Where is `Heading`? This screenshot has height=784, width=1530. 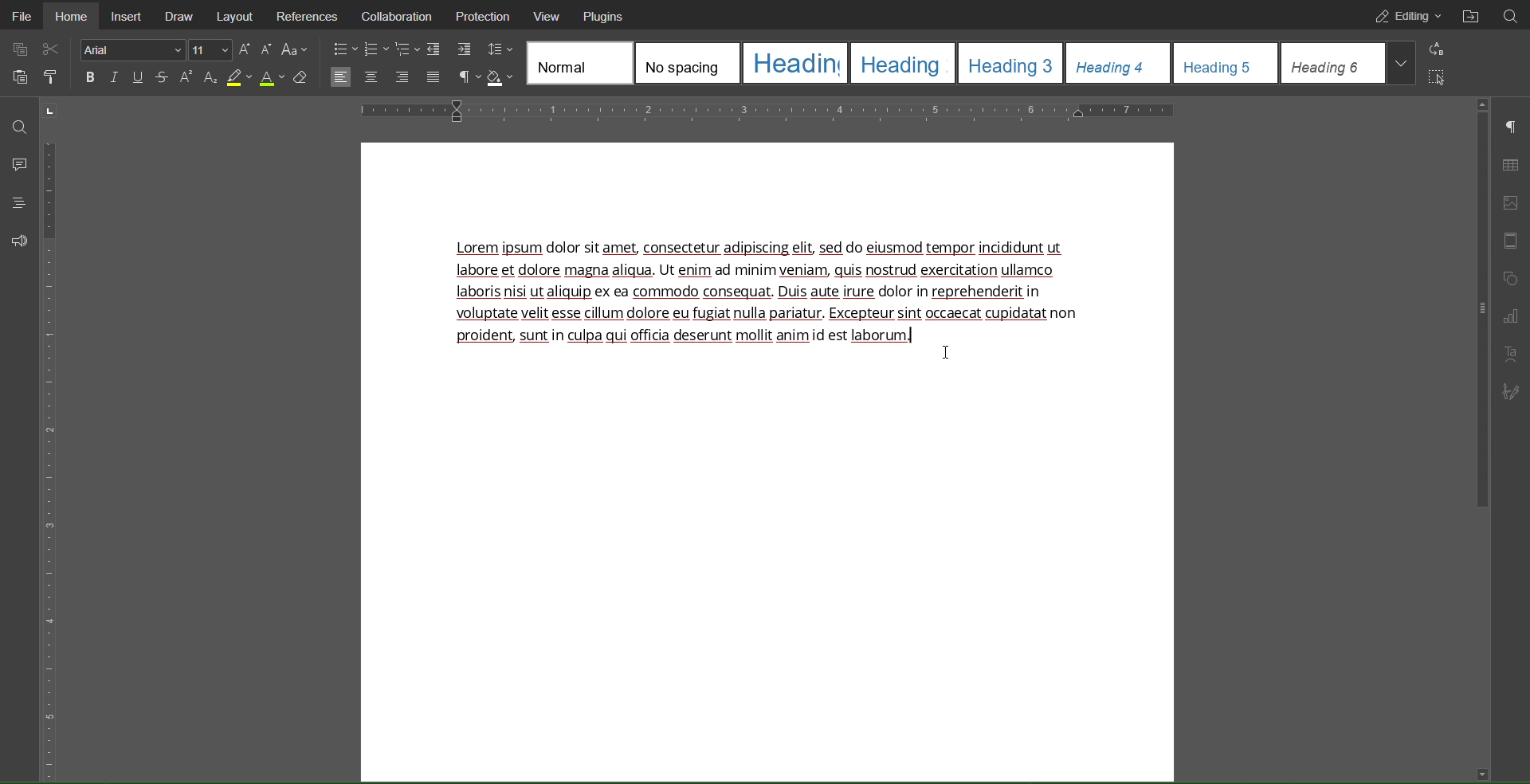
Heading is located at coordinates (904, 65).